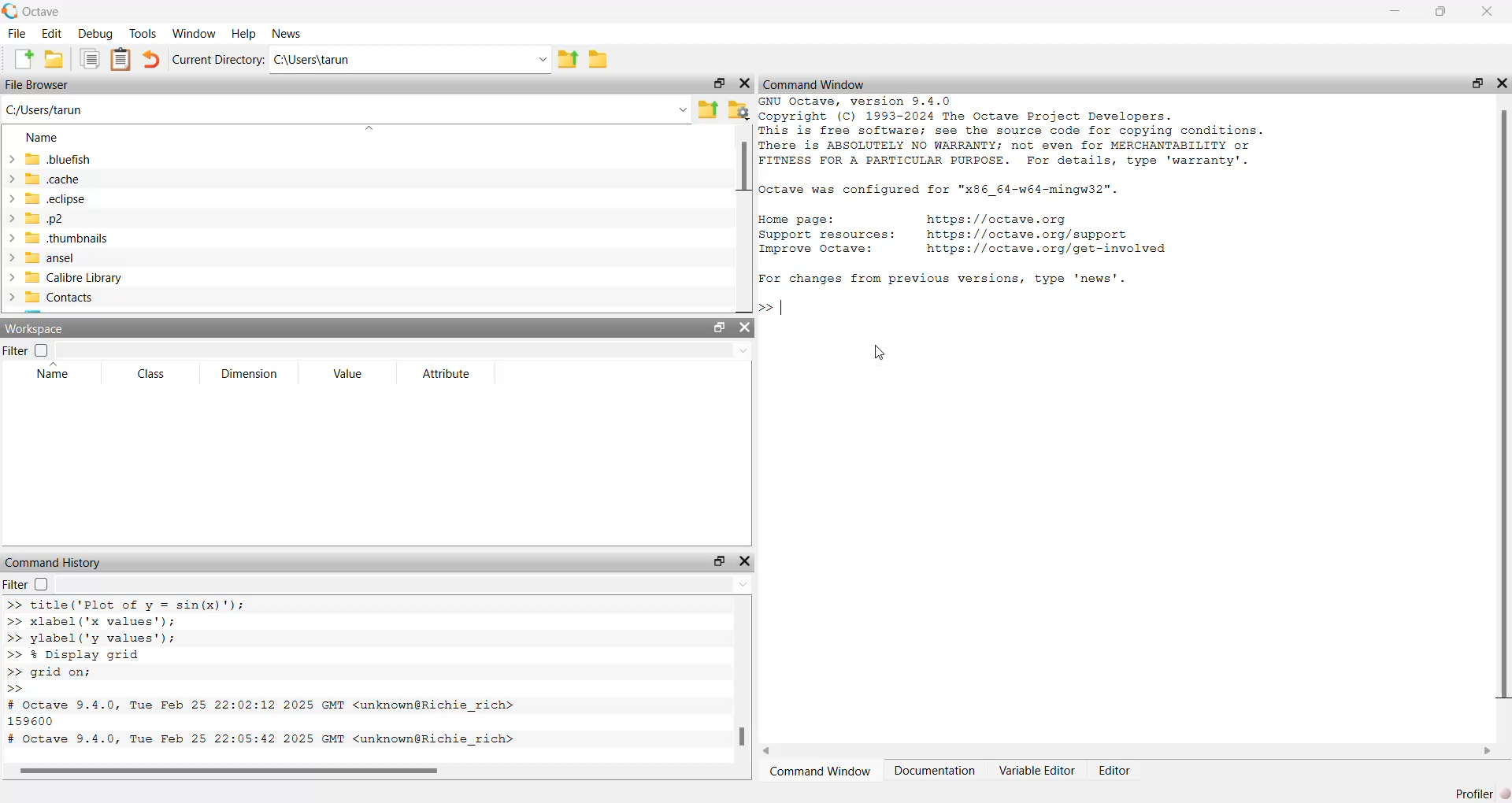 The image size is (1512, 803). I want to click on ansel, so click(41, 258).